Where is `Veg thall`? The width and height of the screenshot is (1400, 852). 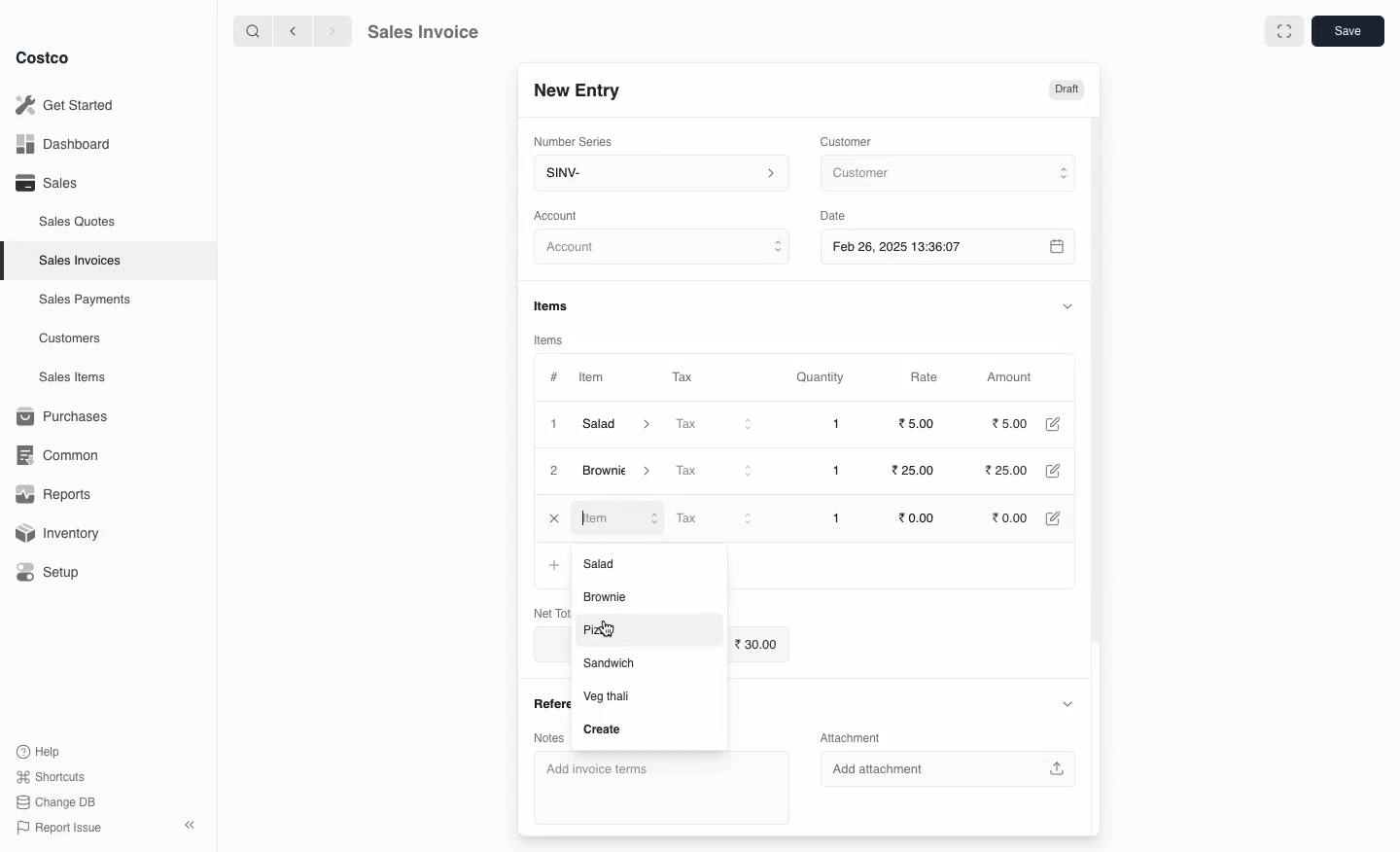
Veg thall is located at coordinates (612, 695).